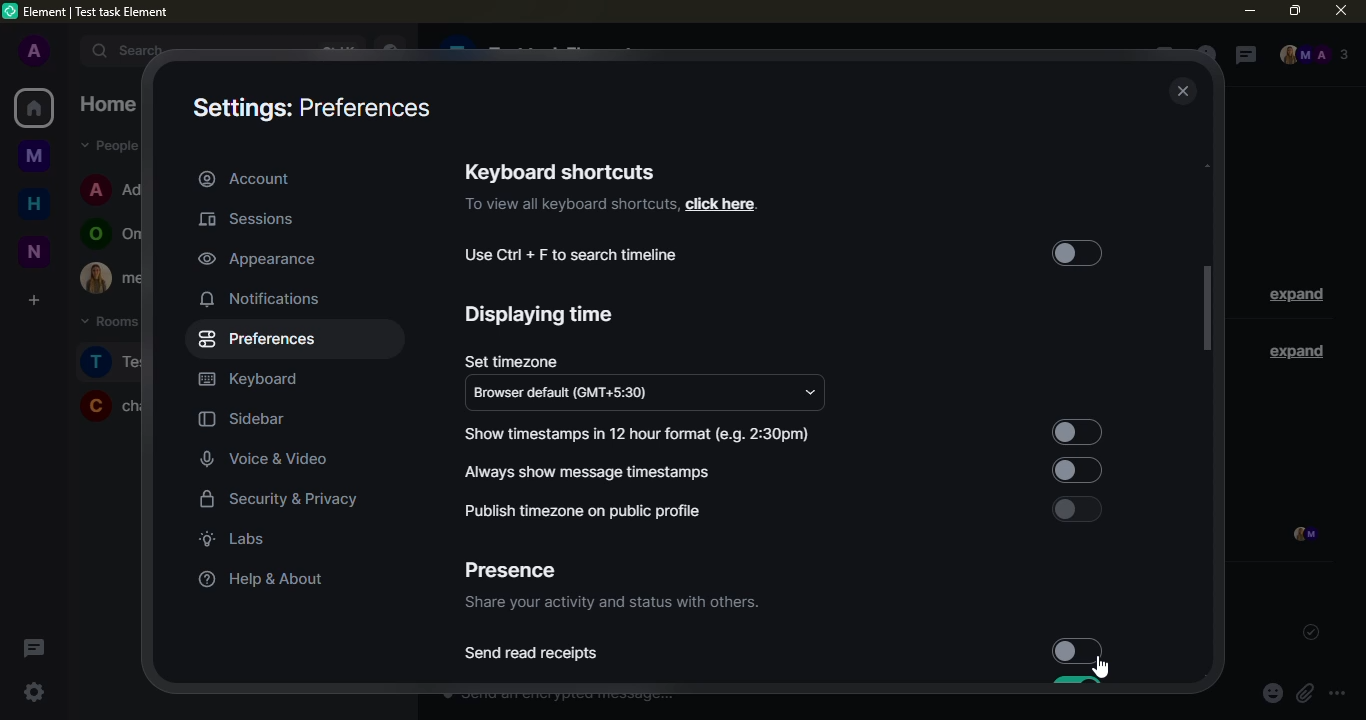 The height and width of the screenshot is (720, 1366). What do you see at coordinates (1302, 536) in the screenshot?
I see `seen` at bounding box center [1302, 536].